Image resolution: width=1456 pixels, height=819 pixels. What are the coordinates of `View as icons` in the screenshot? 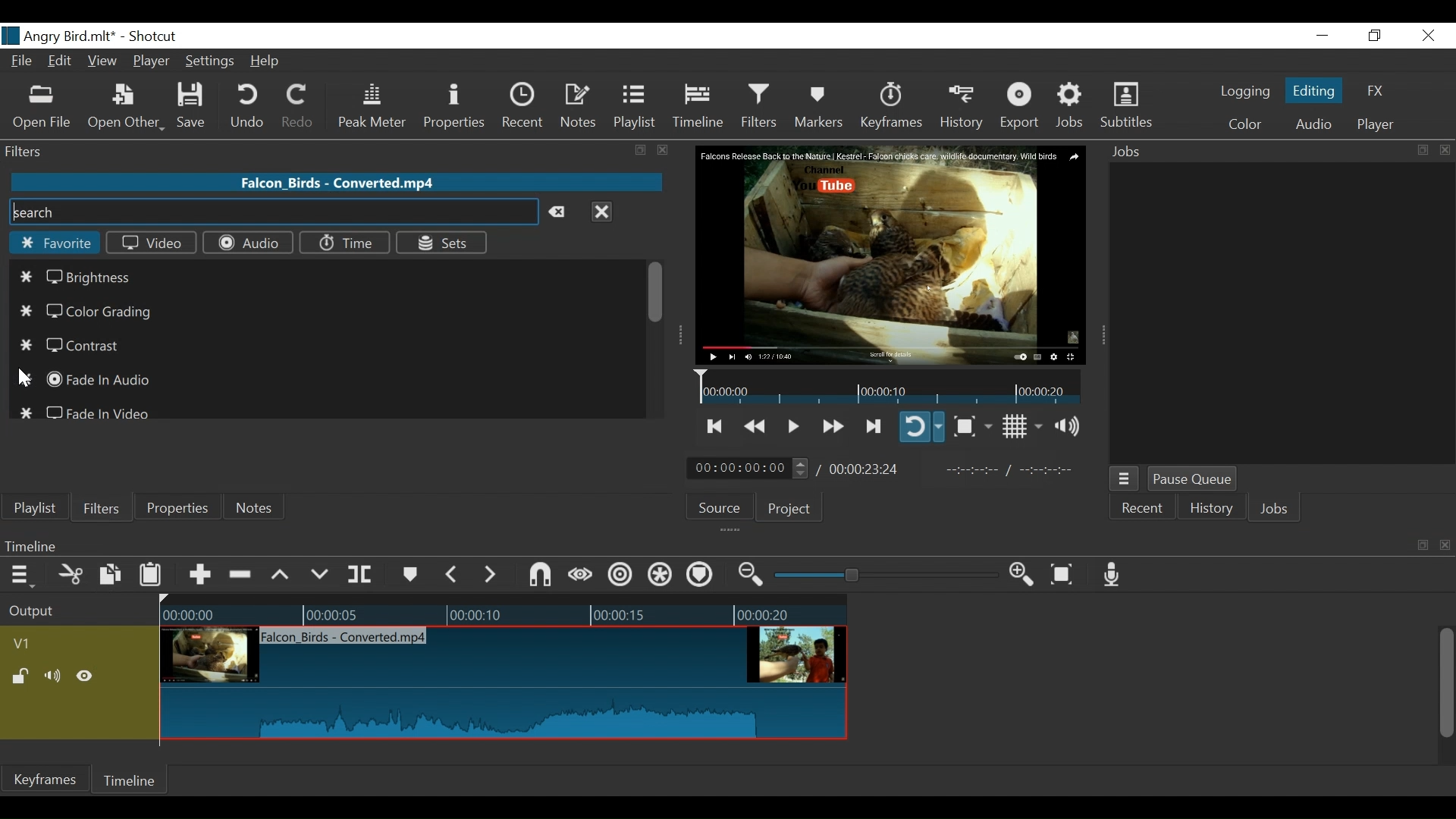 It's located at (320, 471).